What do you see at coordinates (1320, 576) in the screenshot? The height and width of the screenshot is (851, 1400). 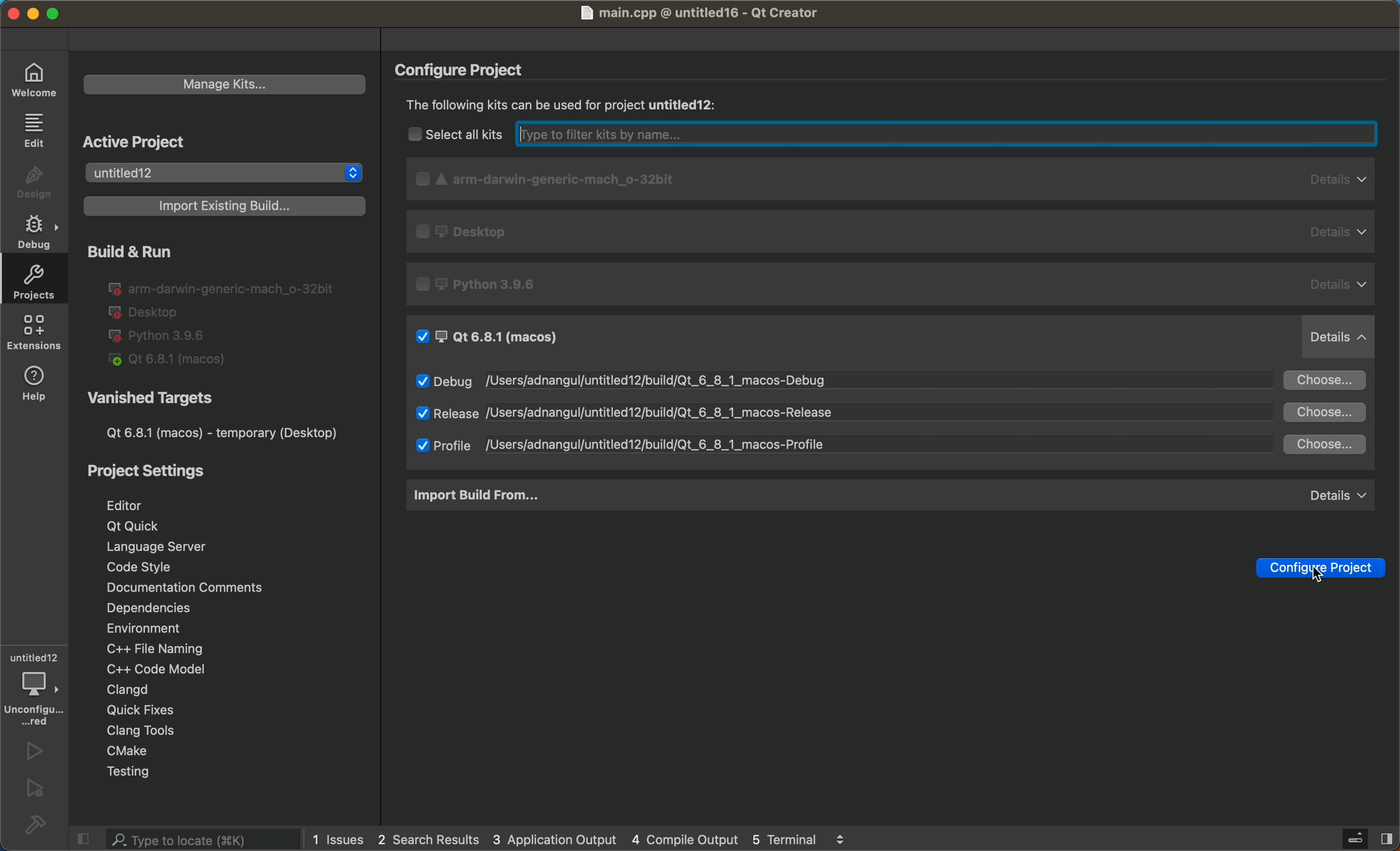 I see `cursor` at bounding box center [1320, 576].